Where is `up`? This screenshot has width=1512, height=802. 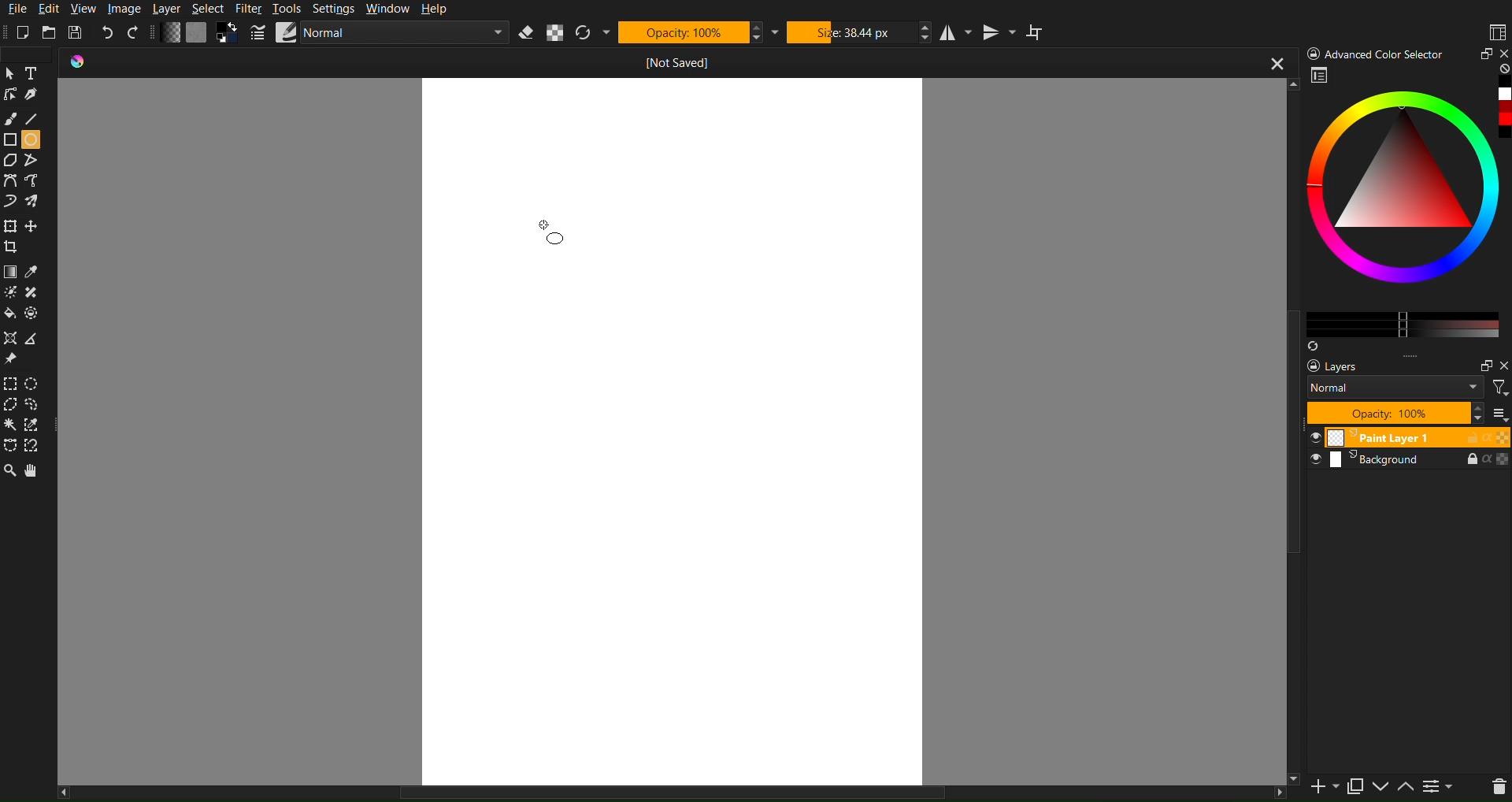 up is located at coordinates (1406, 789).